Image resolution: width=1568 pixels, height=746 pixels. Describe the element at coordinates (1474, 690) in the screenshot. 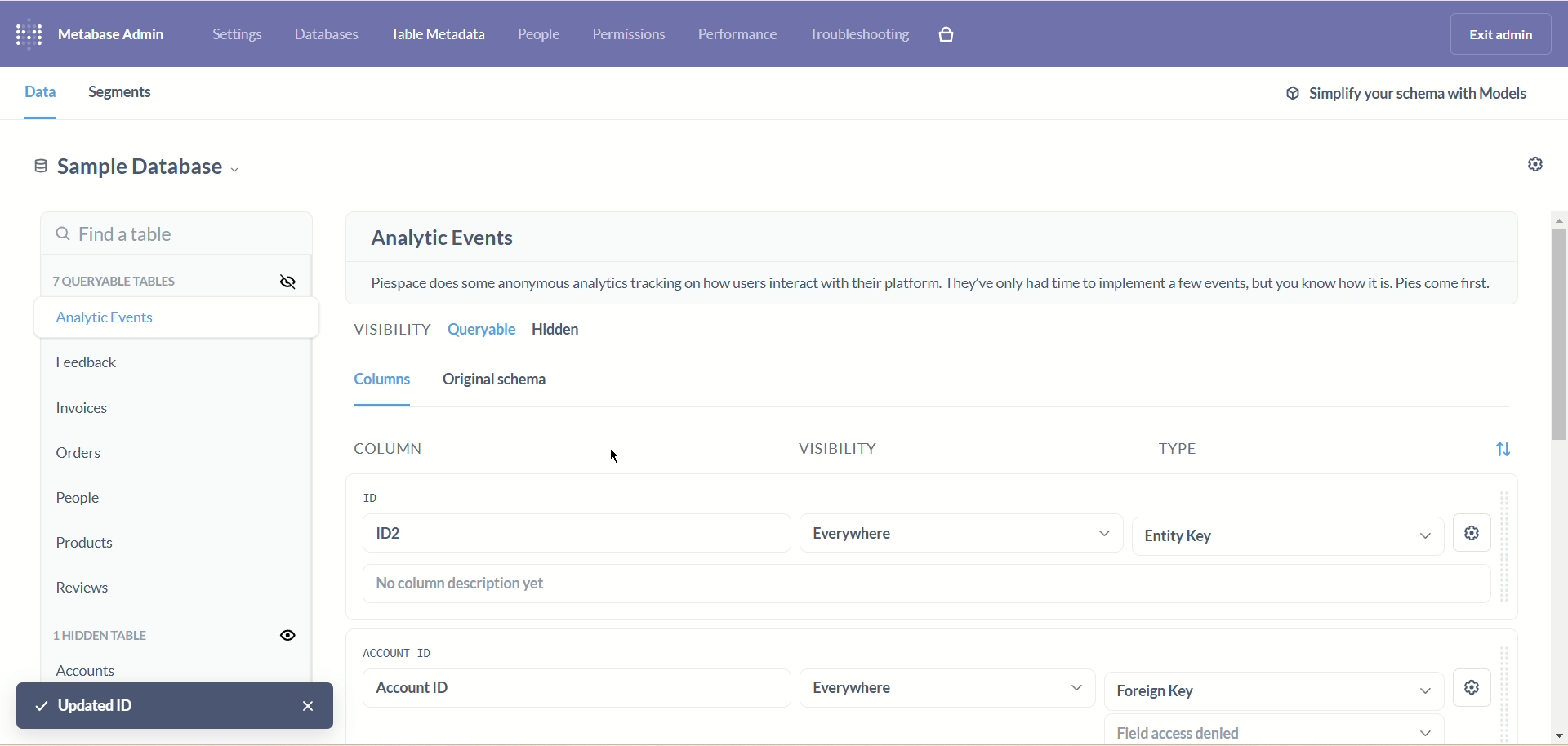

I see `settings` at that location.